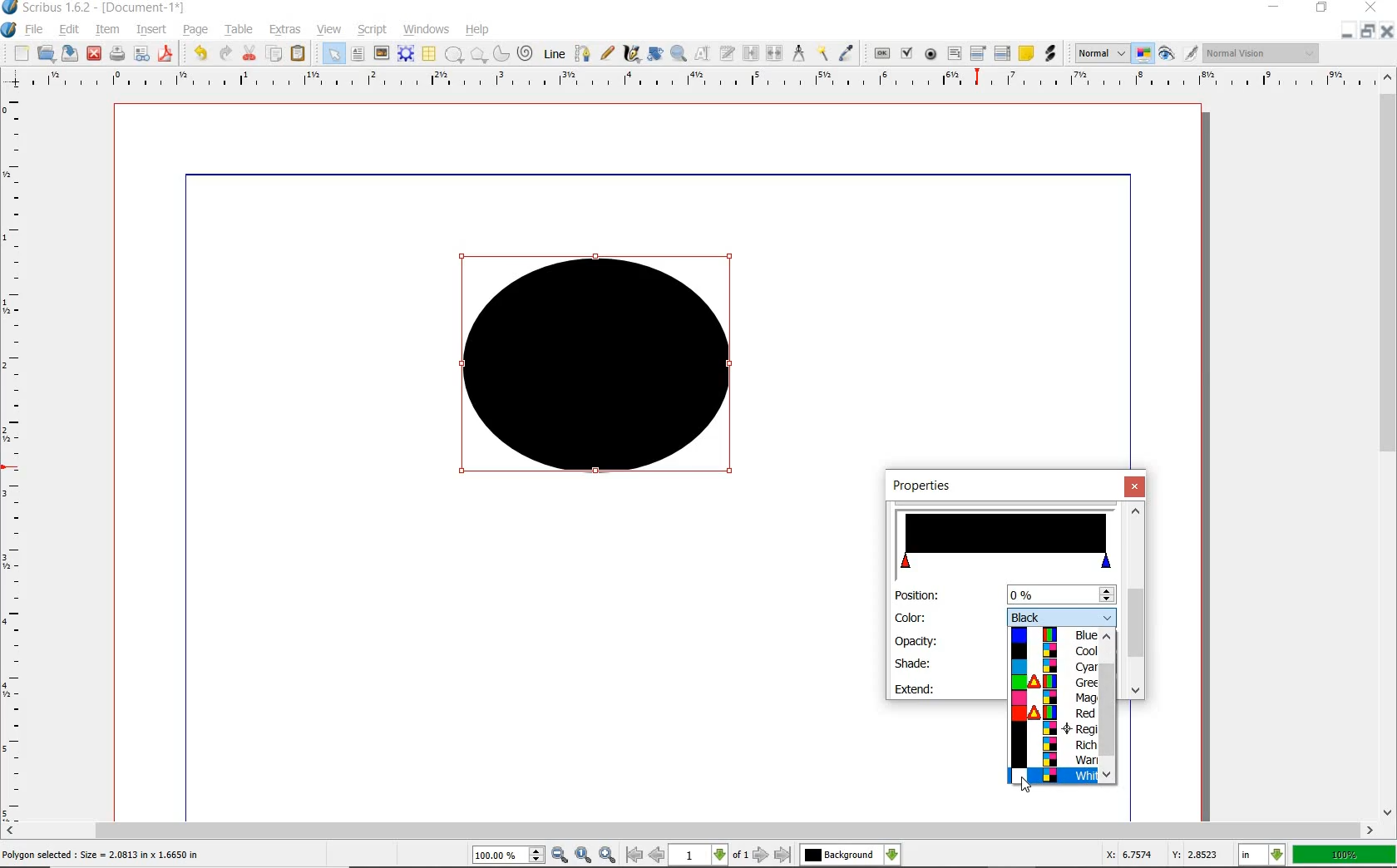  I want to click on coordinates, so click(1160, 855).